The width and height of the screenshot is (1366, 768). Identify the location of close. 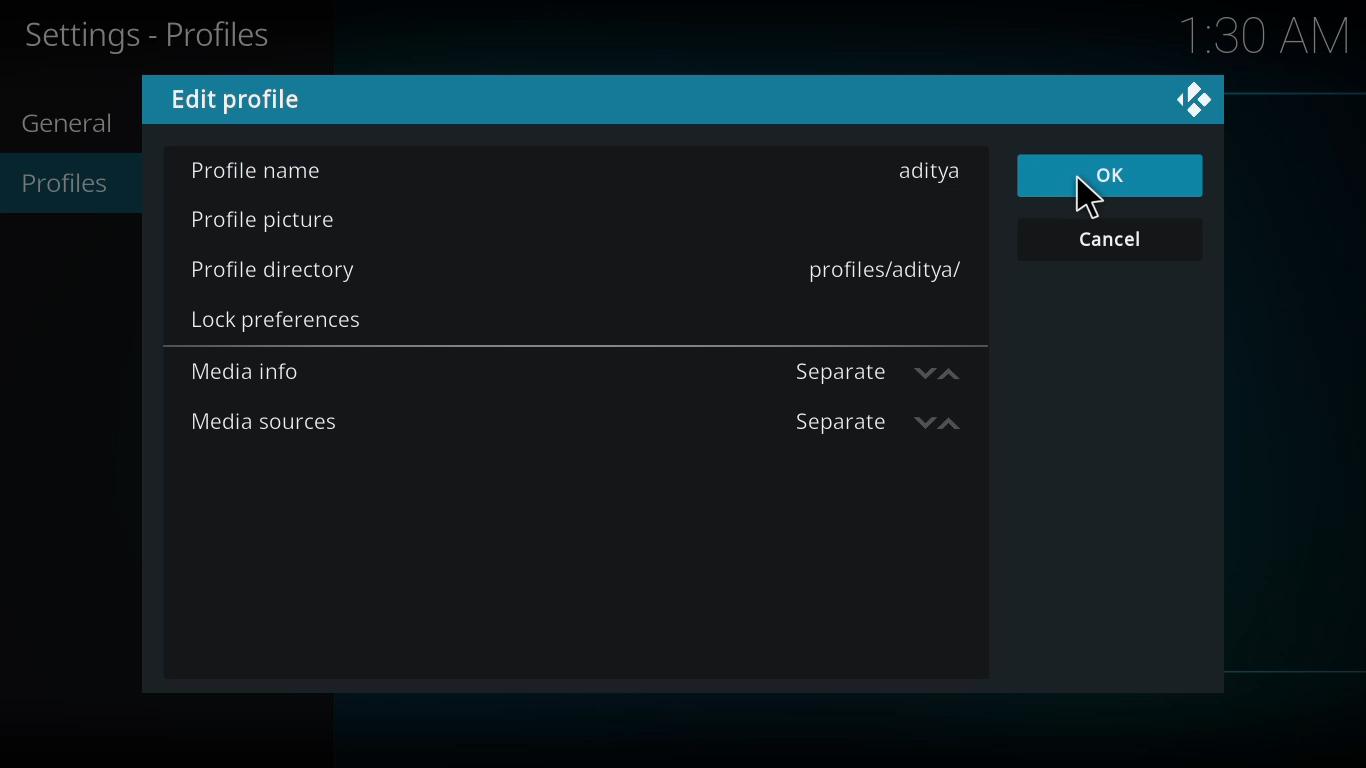
(1192, 99).